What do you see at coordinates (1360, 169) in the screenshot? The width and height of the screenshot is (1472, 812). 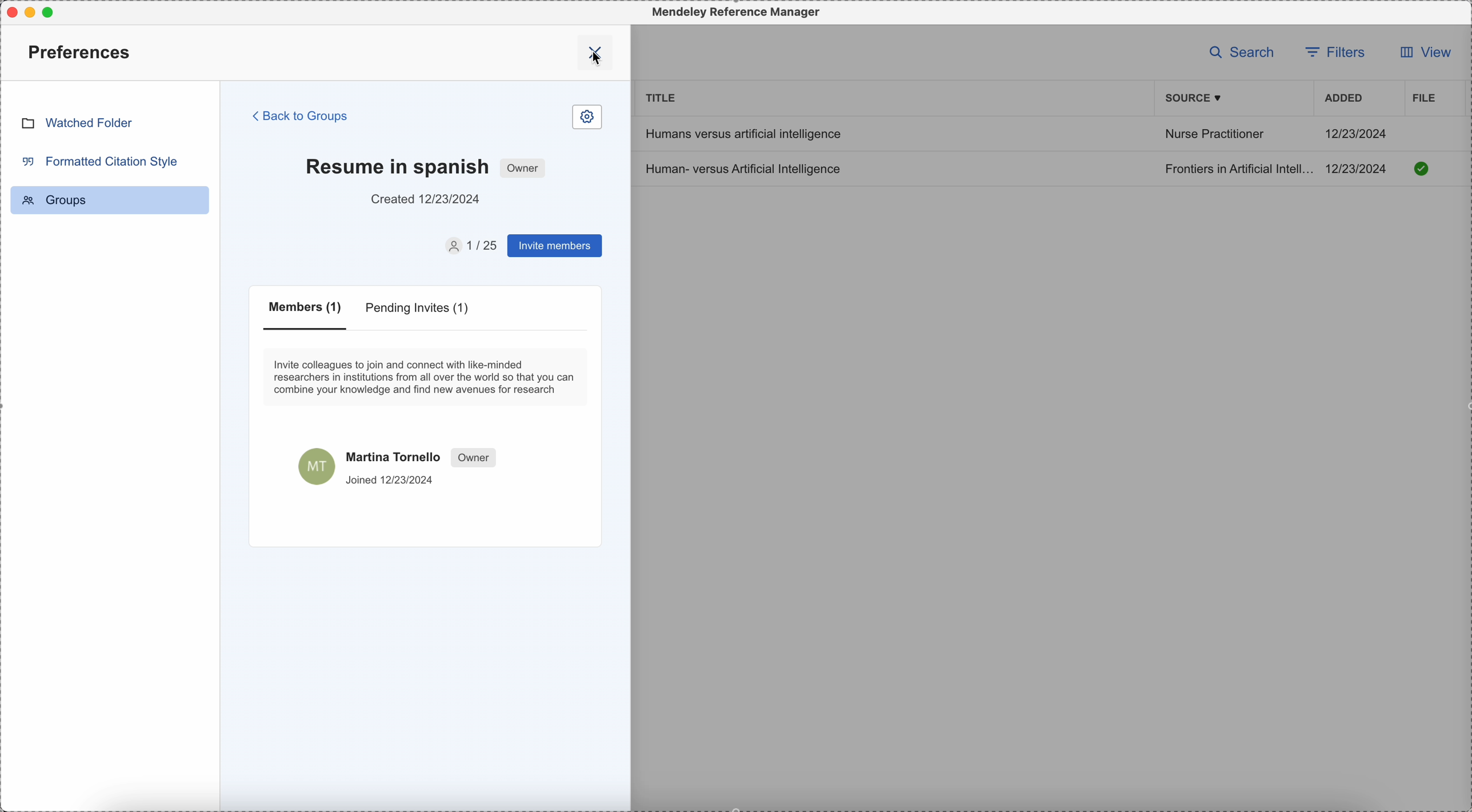 I see `12/23/2024` at bounding box center [1360, 169].